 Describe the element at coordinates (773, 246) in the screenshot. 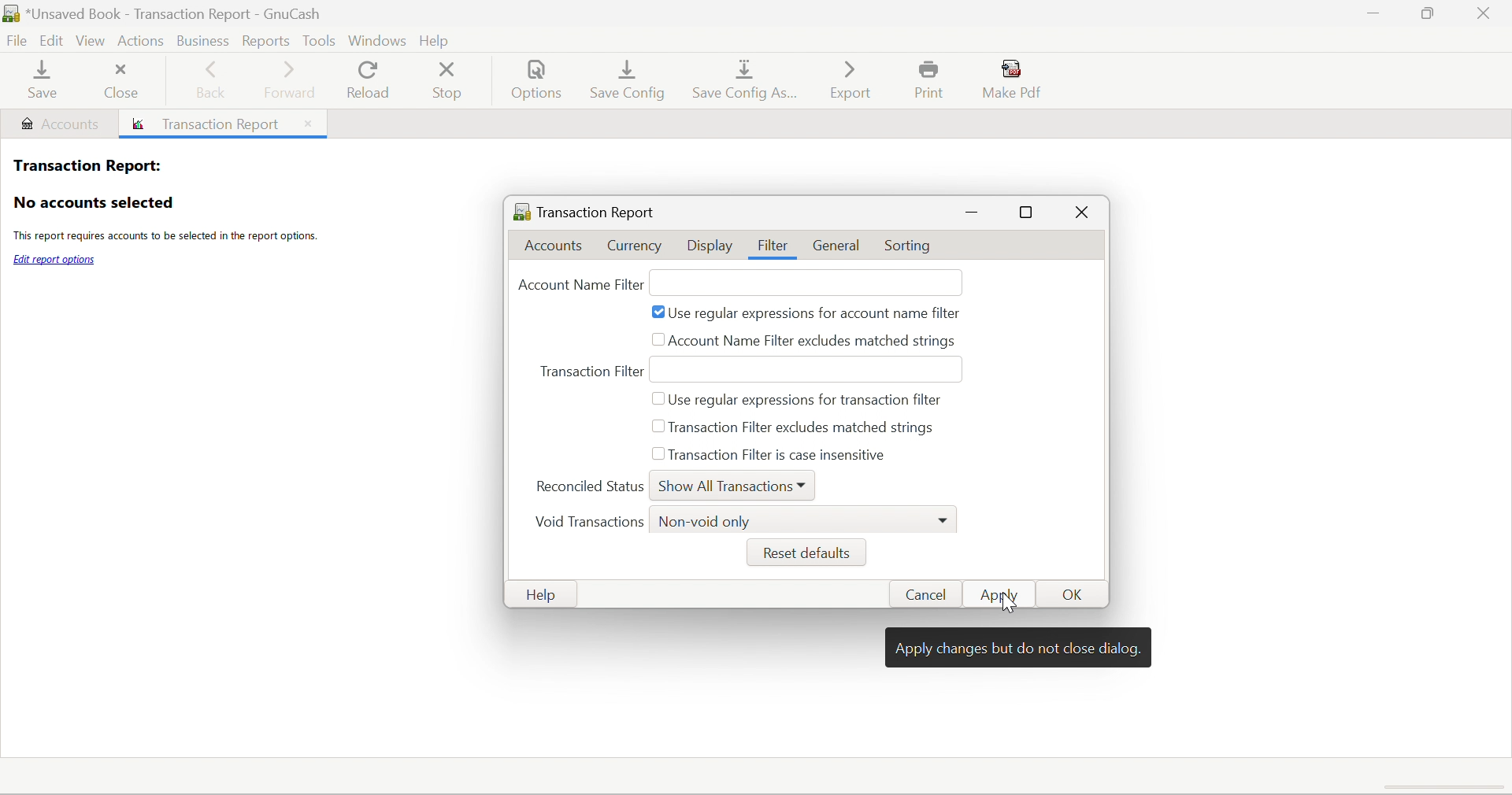

I see `Filter` at that location.